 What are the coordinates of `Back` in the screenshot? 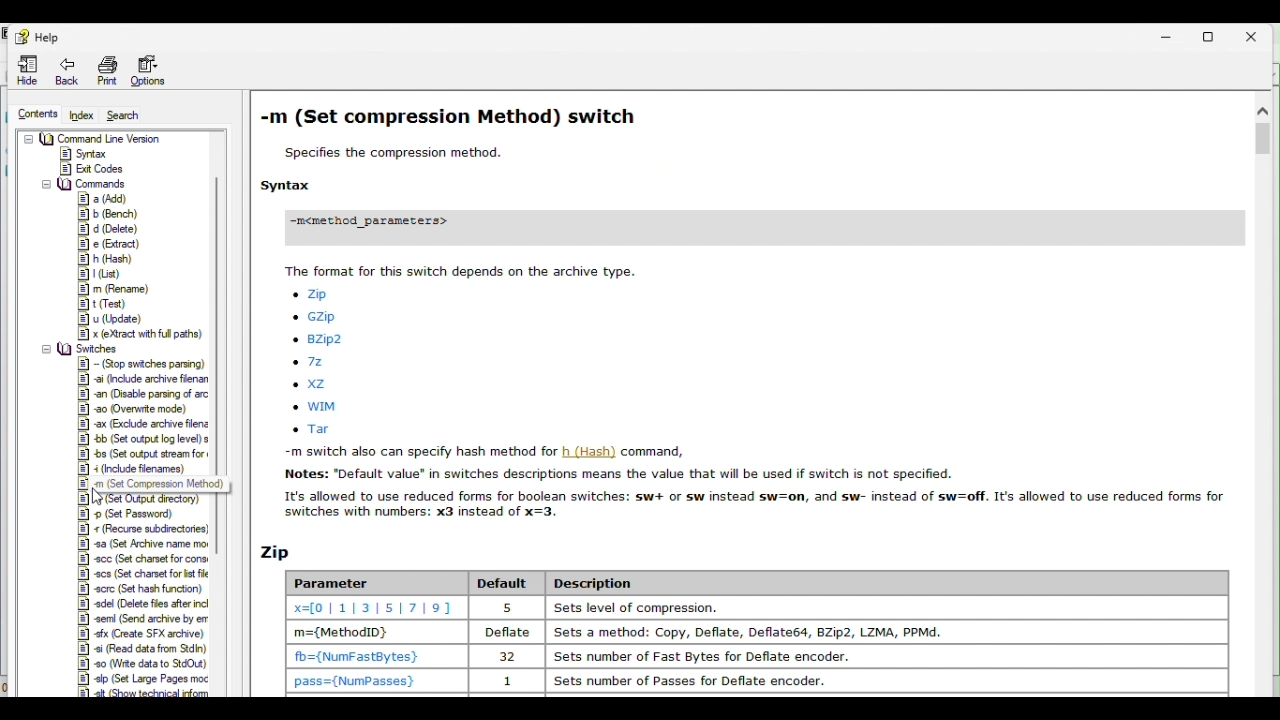 It's located at (68, 71).